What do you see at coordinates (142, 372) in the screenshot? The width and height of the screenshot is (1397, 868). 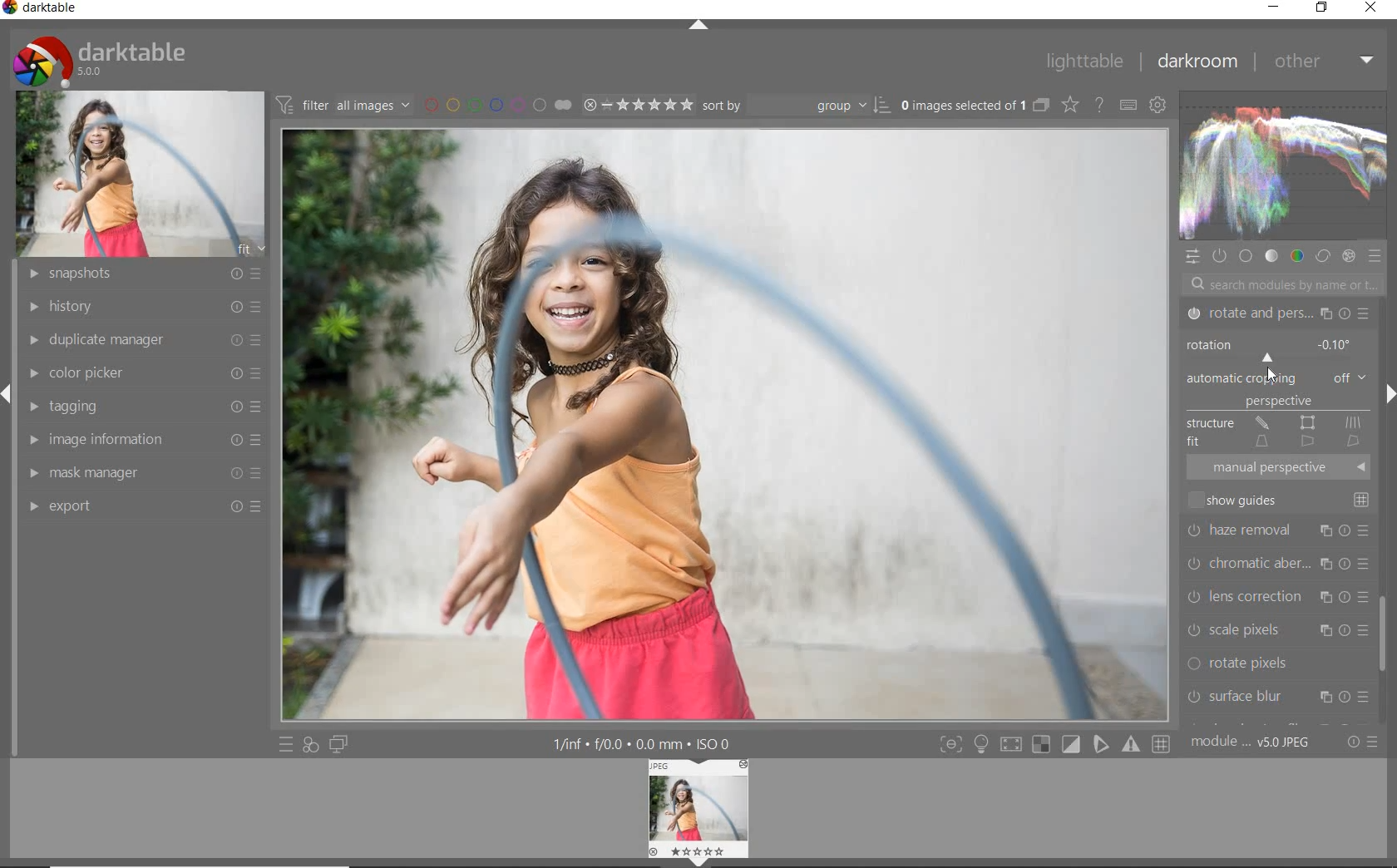 I see `color picker` at bounding box center [142, 372].